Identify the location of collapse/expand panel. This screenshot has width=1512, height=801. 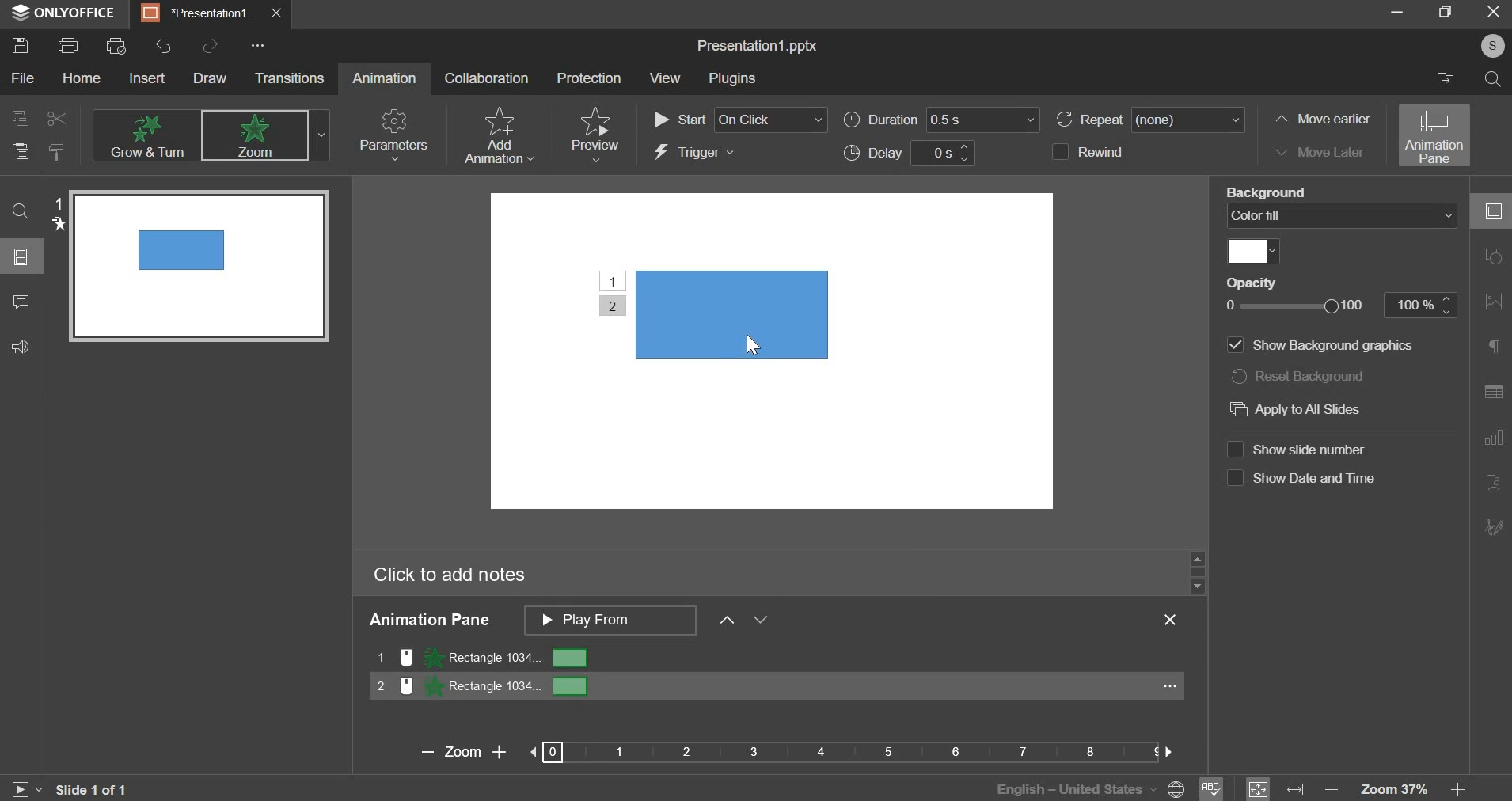
(1489, 211).